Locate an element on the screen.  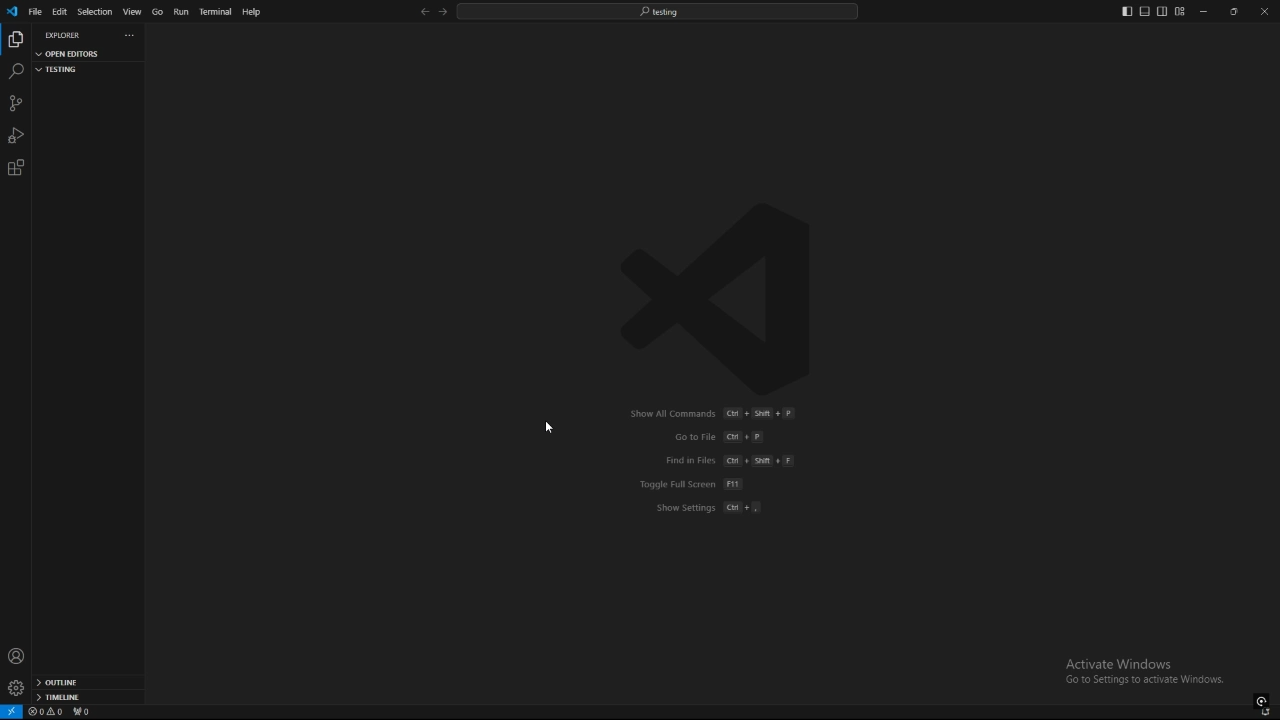
Activate windows go to settings to activate windows is located at coordinates (1152, 673).